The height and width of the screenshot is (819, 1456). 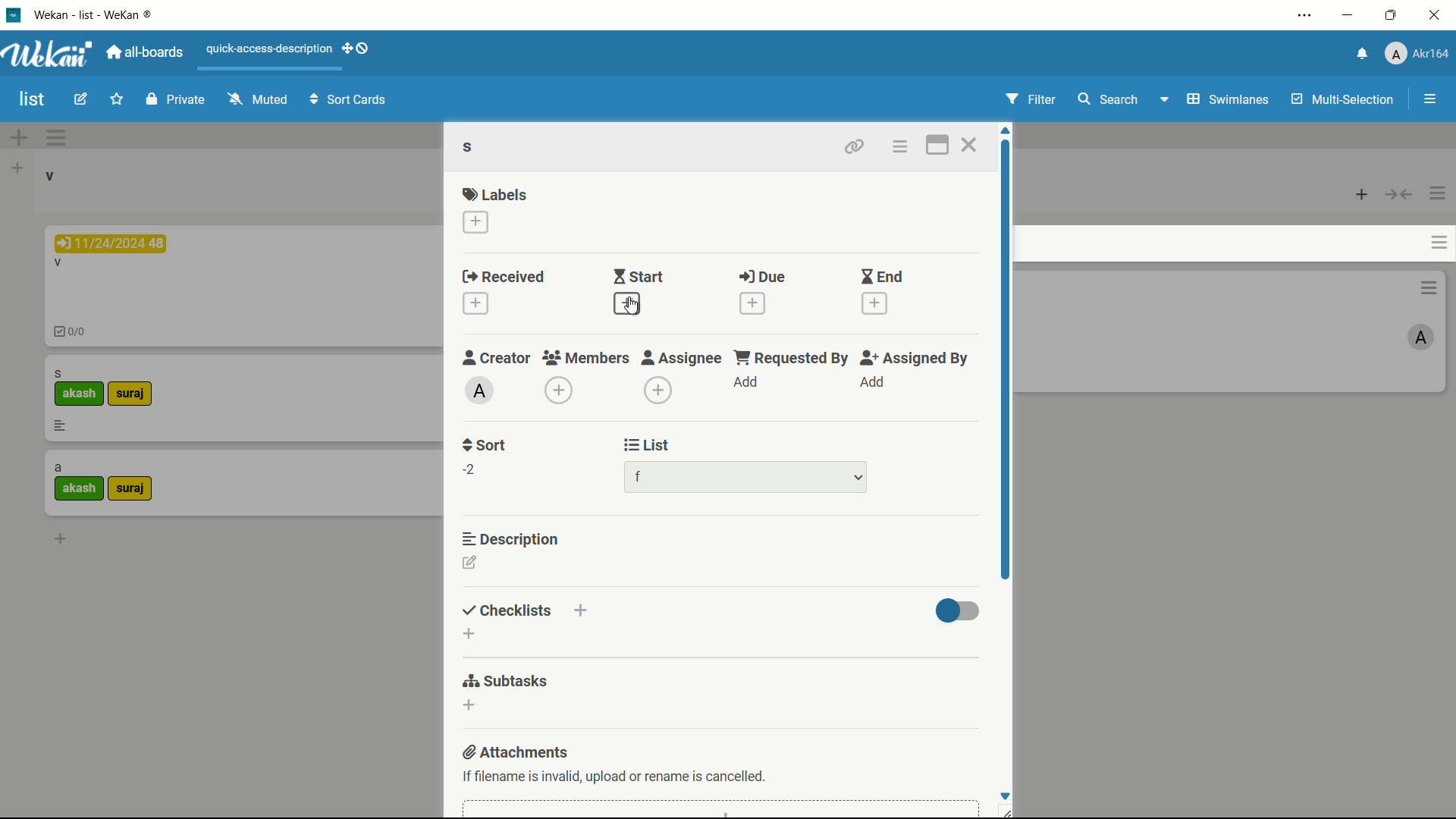 What do you see at coordinates (485, 444) in the screenshot?
I see `sort` at bounding box center [485, 444].